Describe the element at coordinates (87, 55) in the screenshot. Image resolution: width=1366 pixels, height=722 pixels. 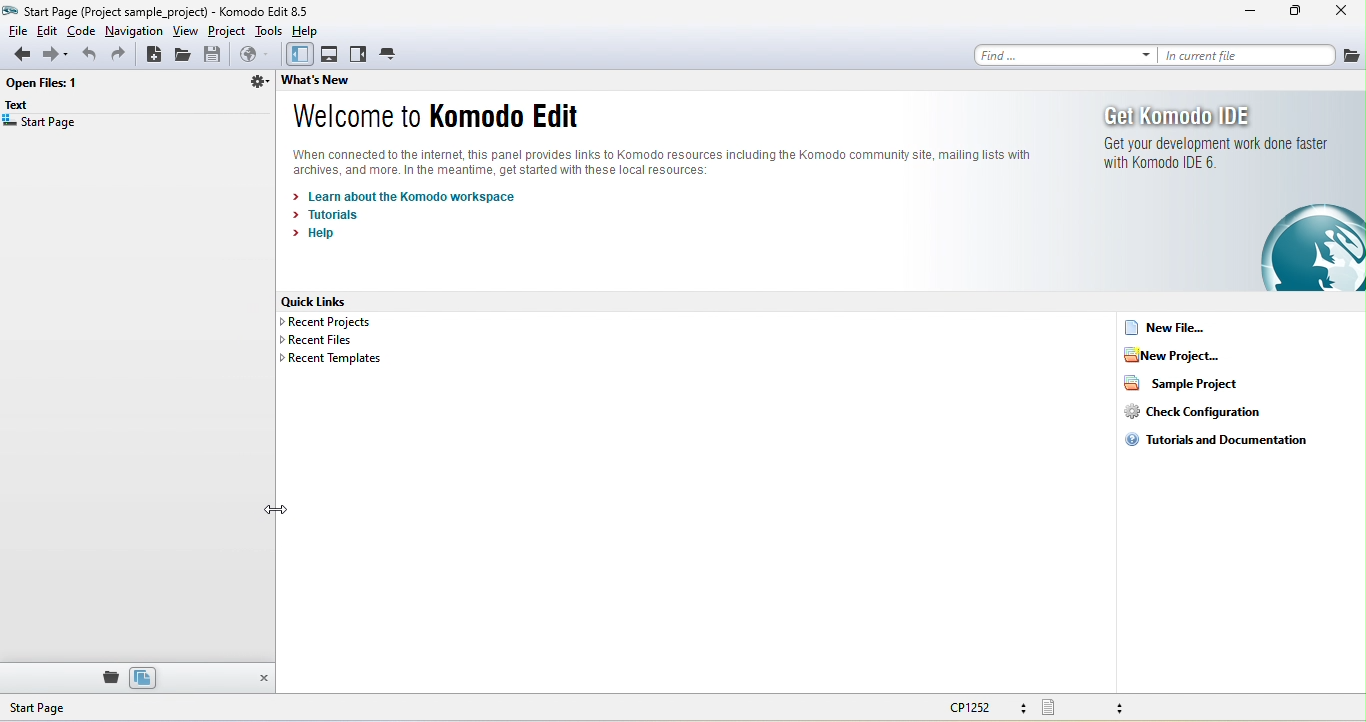
I see `undo` at that location.